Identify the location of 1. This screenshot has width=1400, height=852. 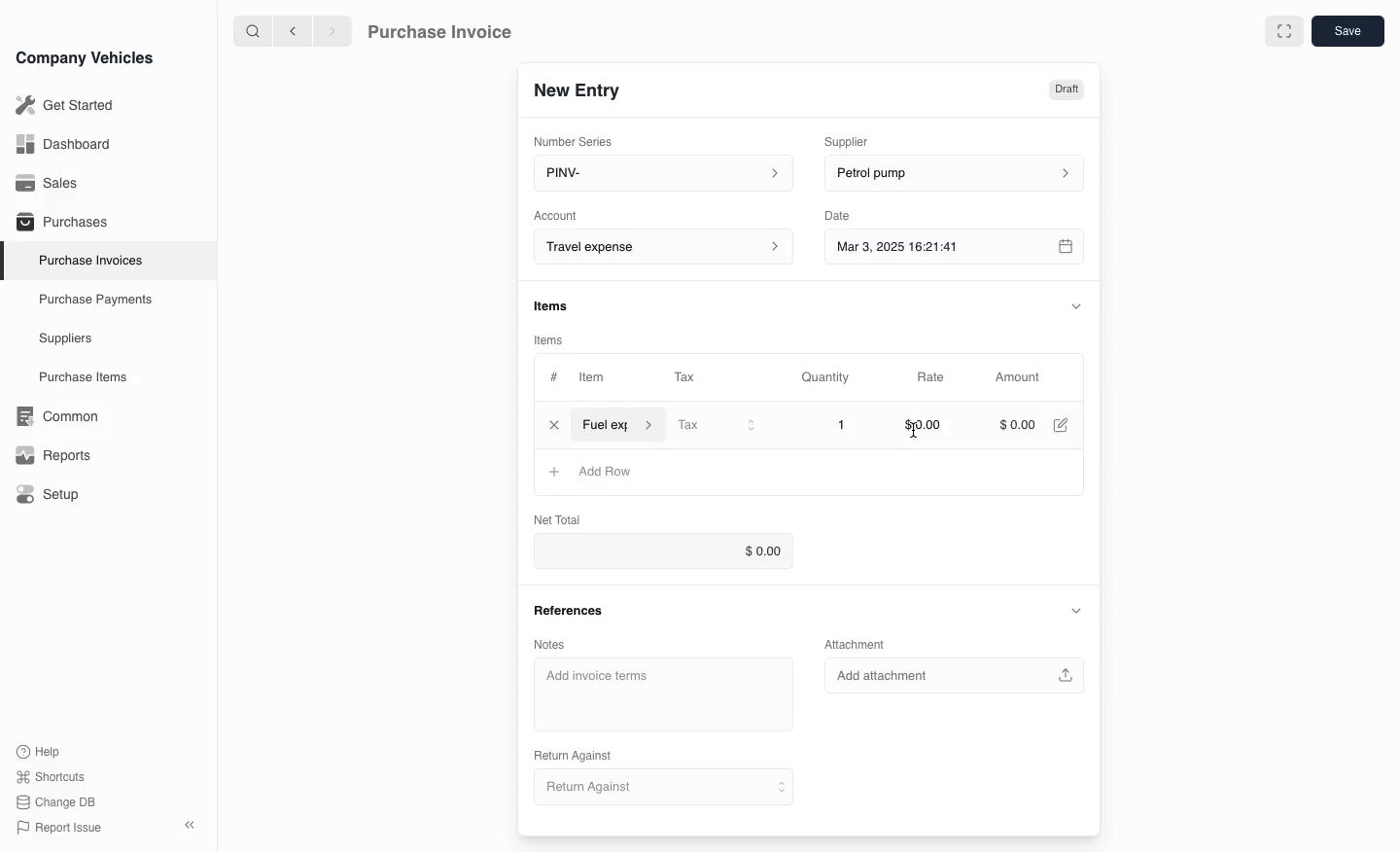
(827, 425).